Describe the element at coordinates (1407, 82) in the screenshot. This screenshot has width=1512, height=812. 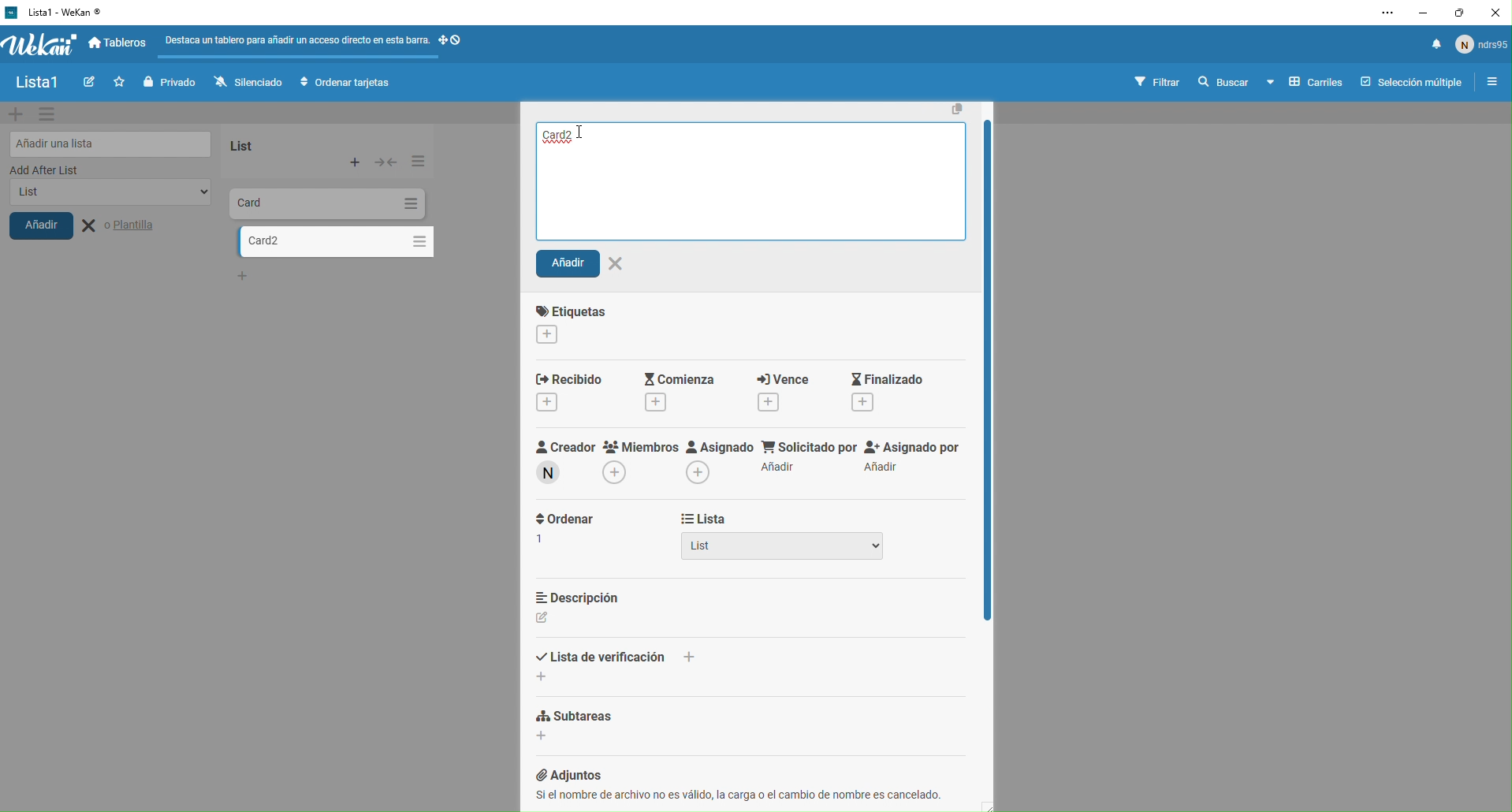
I see `seleccion multiple` at that location.